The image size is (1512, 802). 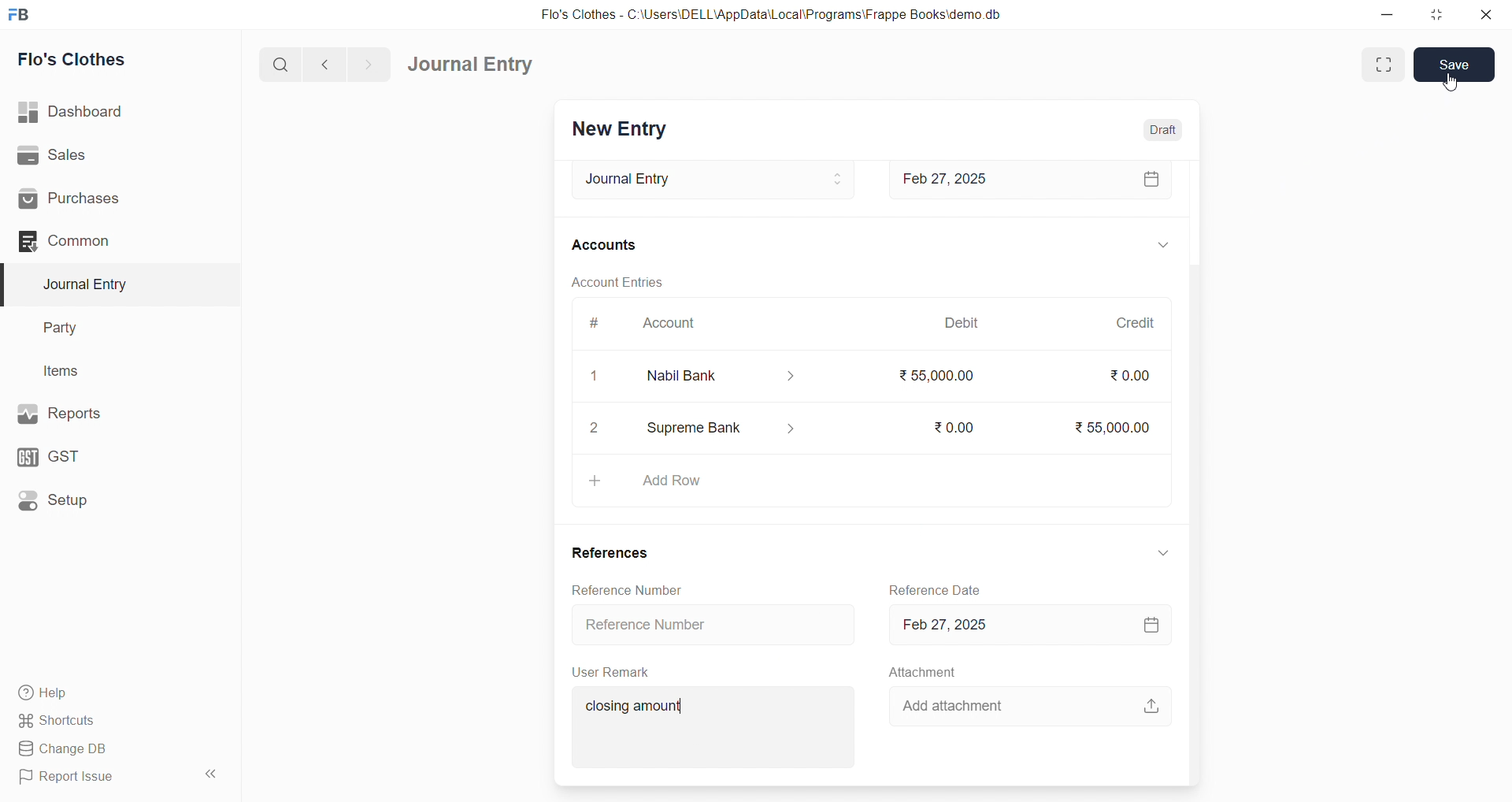 I want to click on Debit, so click(x=961, y=323).